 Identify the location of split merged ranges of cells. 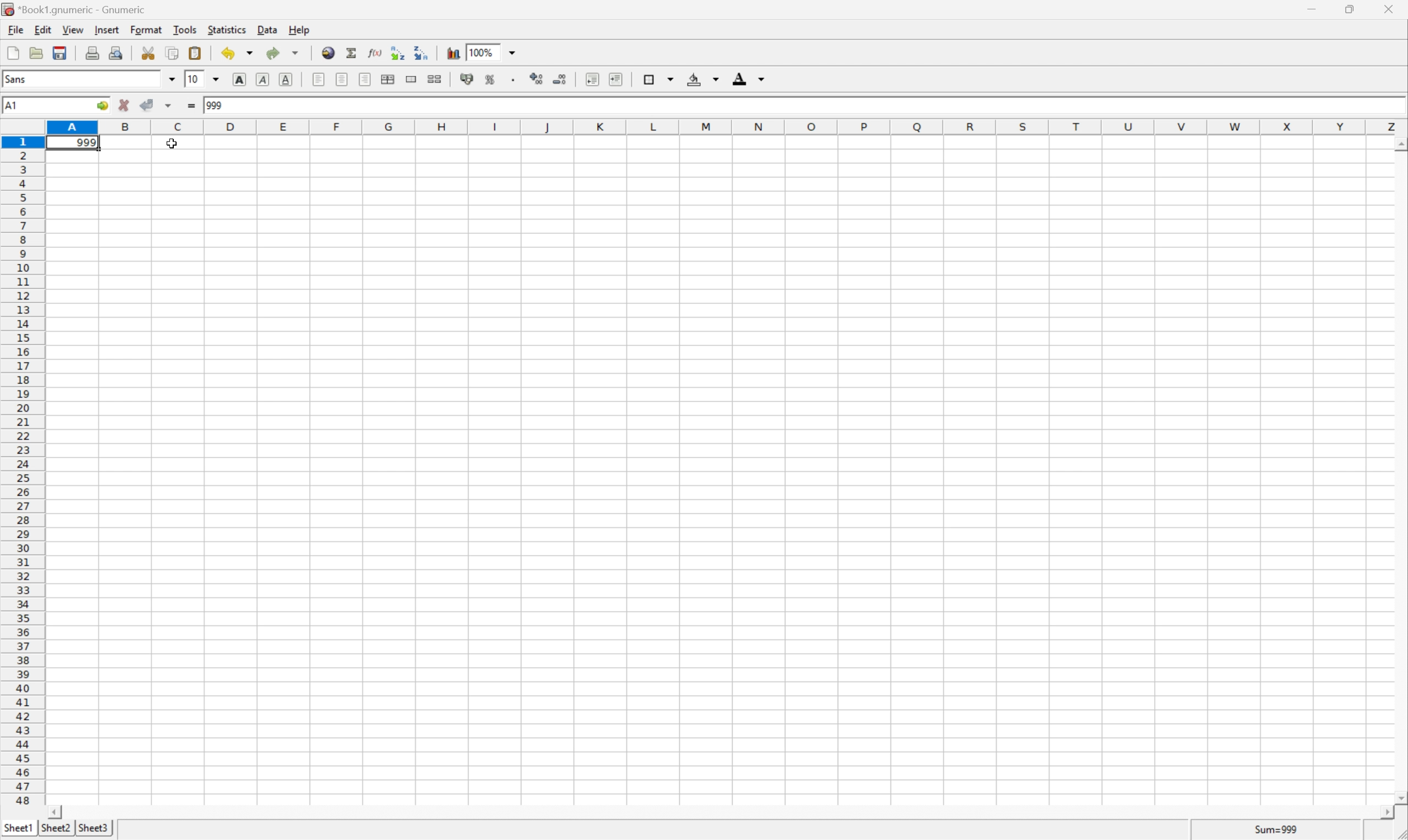
(436, 79).